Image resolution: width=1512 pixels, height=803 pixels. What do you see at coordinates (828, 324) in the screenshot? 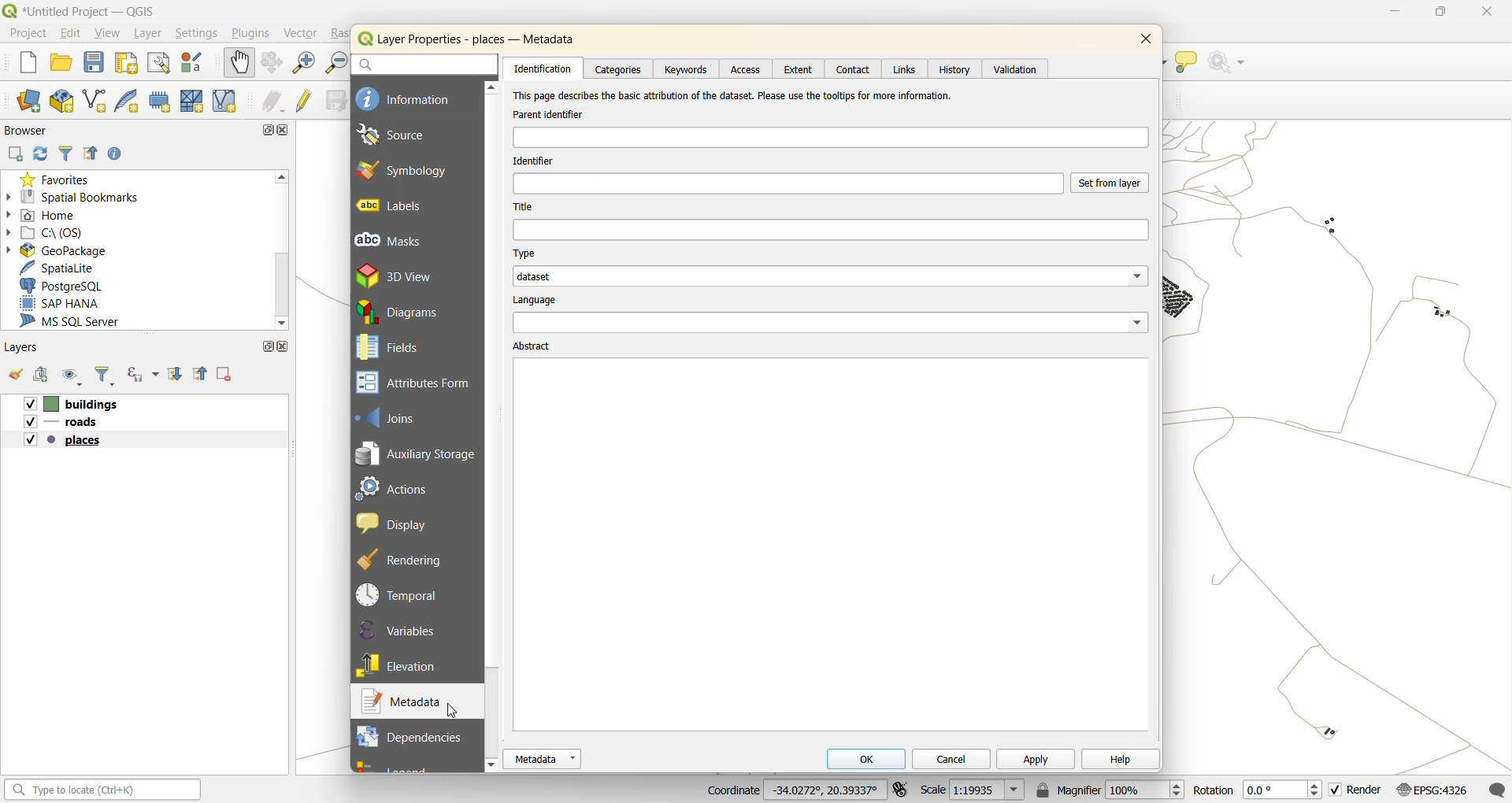
I see `` at bounding box center [828, 324].